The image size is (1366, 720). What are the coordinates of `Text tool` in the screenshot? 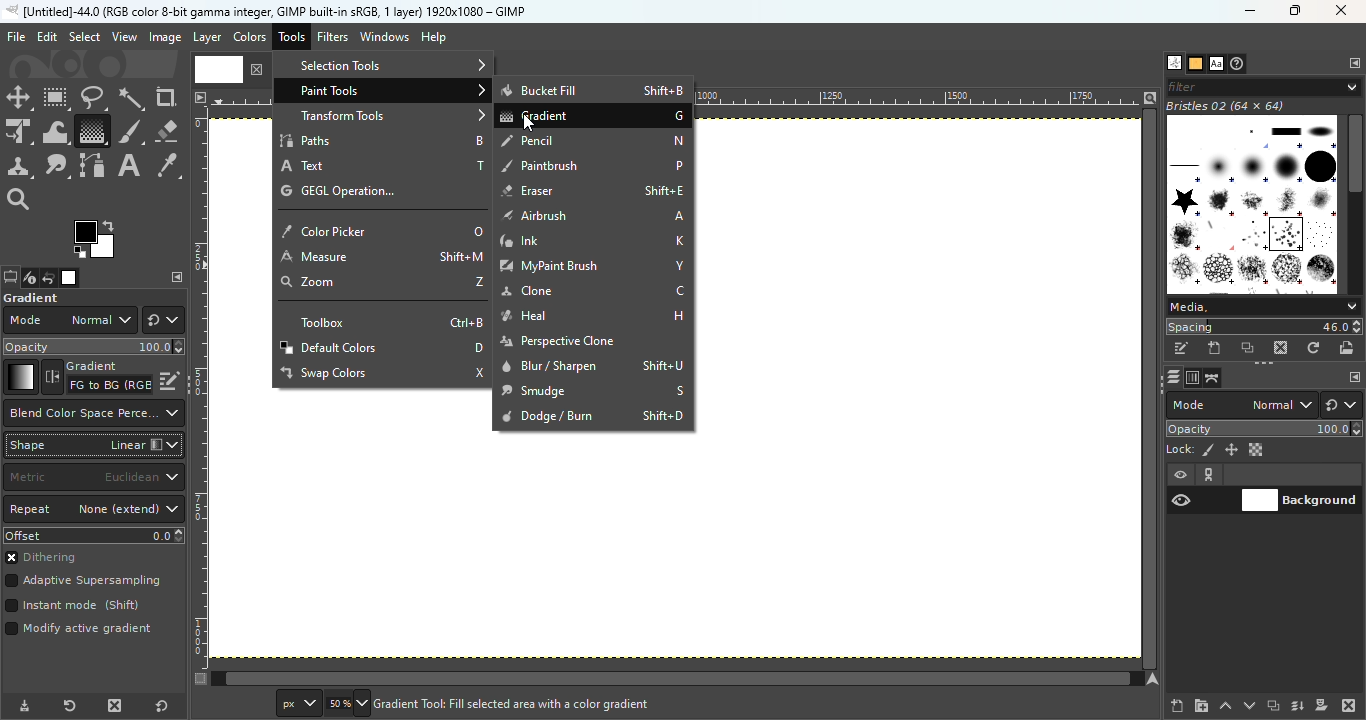 It's located at (129, 166).